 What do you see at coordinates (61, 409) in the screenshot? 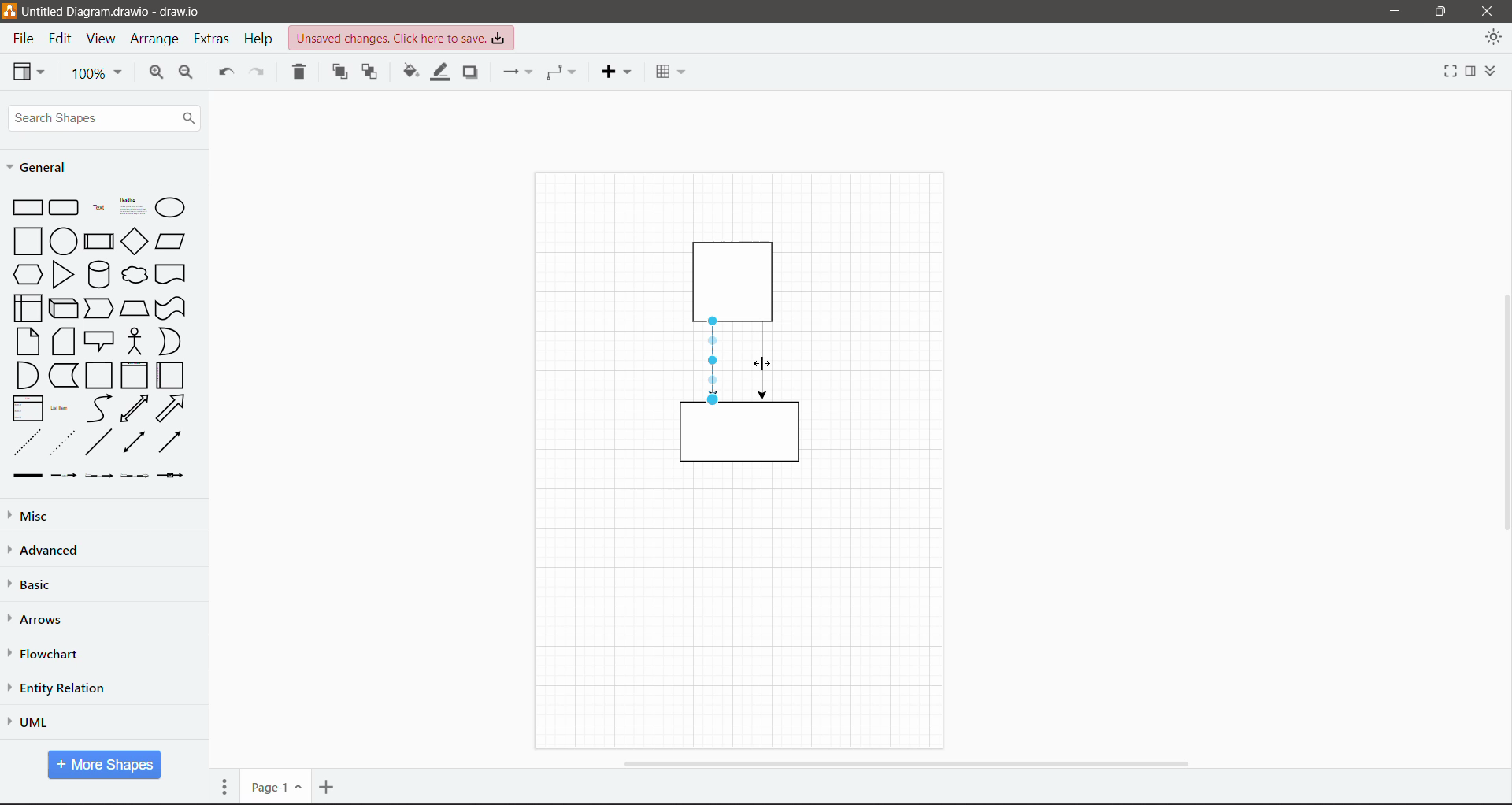
I see `List Item` at bounding box center [61, 409].